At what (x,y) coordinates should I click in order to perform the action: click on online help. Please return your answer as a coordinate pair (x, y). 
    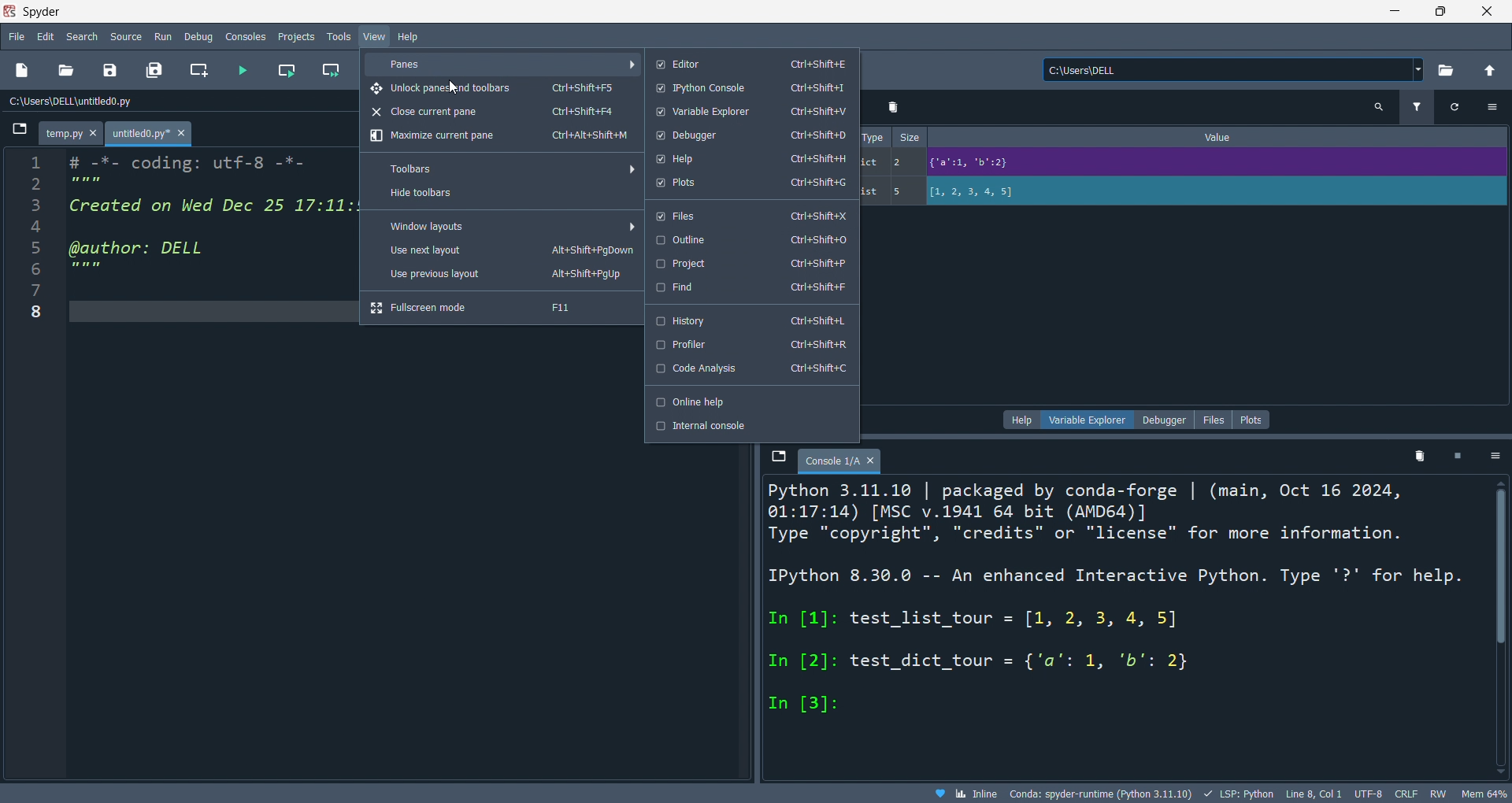
    Looking at the image, I should click on (750, 401).